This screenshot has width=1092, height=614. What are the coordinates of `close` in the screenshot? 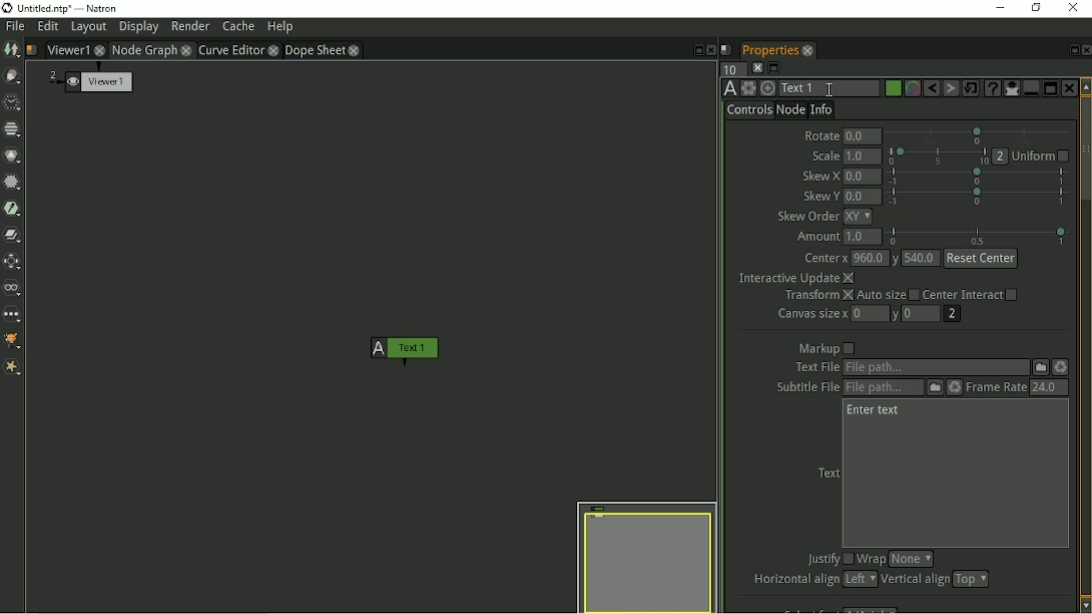 It's located at (809, 50).